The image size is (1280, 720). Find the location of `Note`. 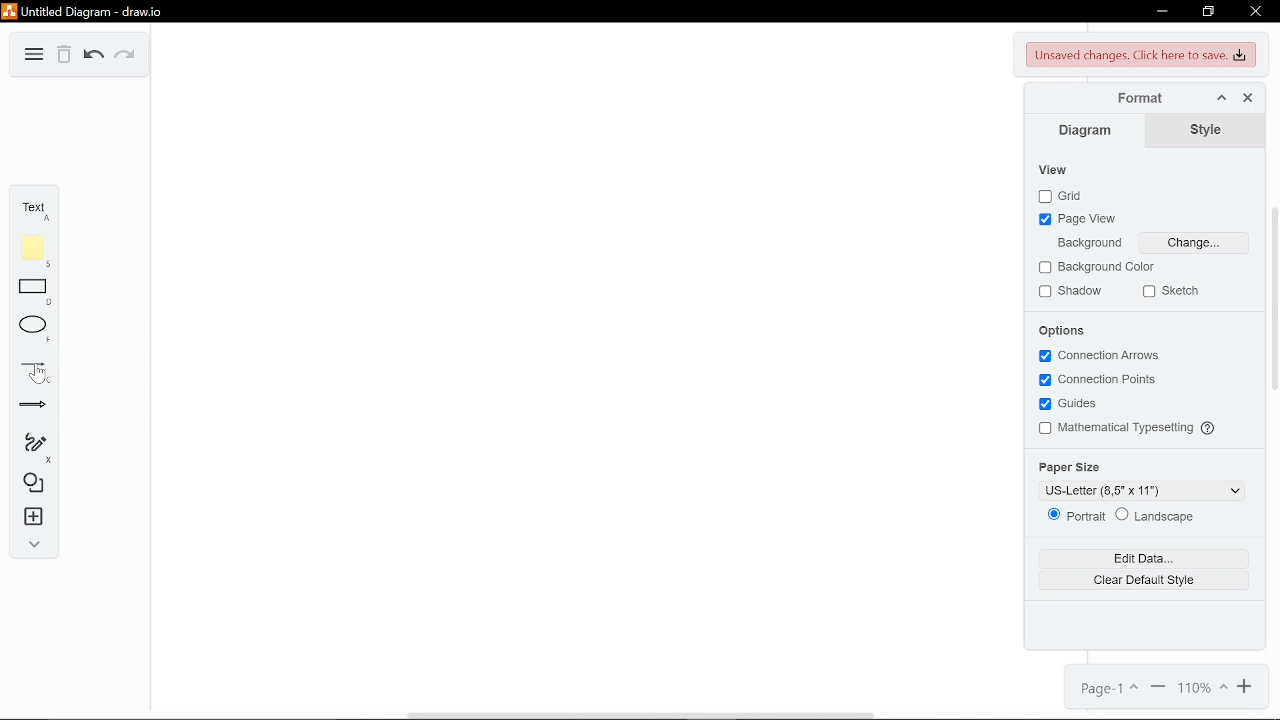

Note is located at coordinates (32, 249).